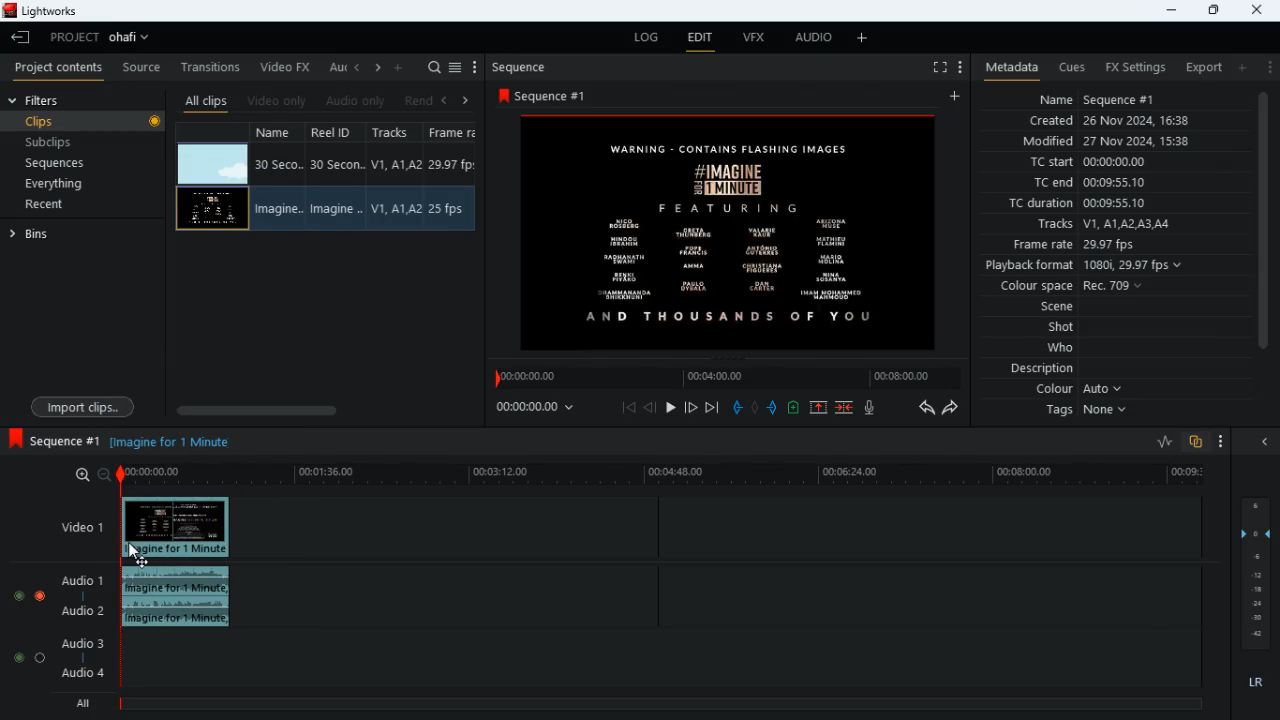 Image resolution: width=1280 pixels, height=720 pixels. What do you see at coordinates (457, 66) in the screenshot?
I see `select` at bounding box center [457, 66].